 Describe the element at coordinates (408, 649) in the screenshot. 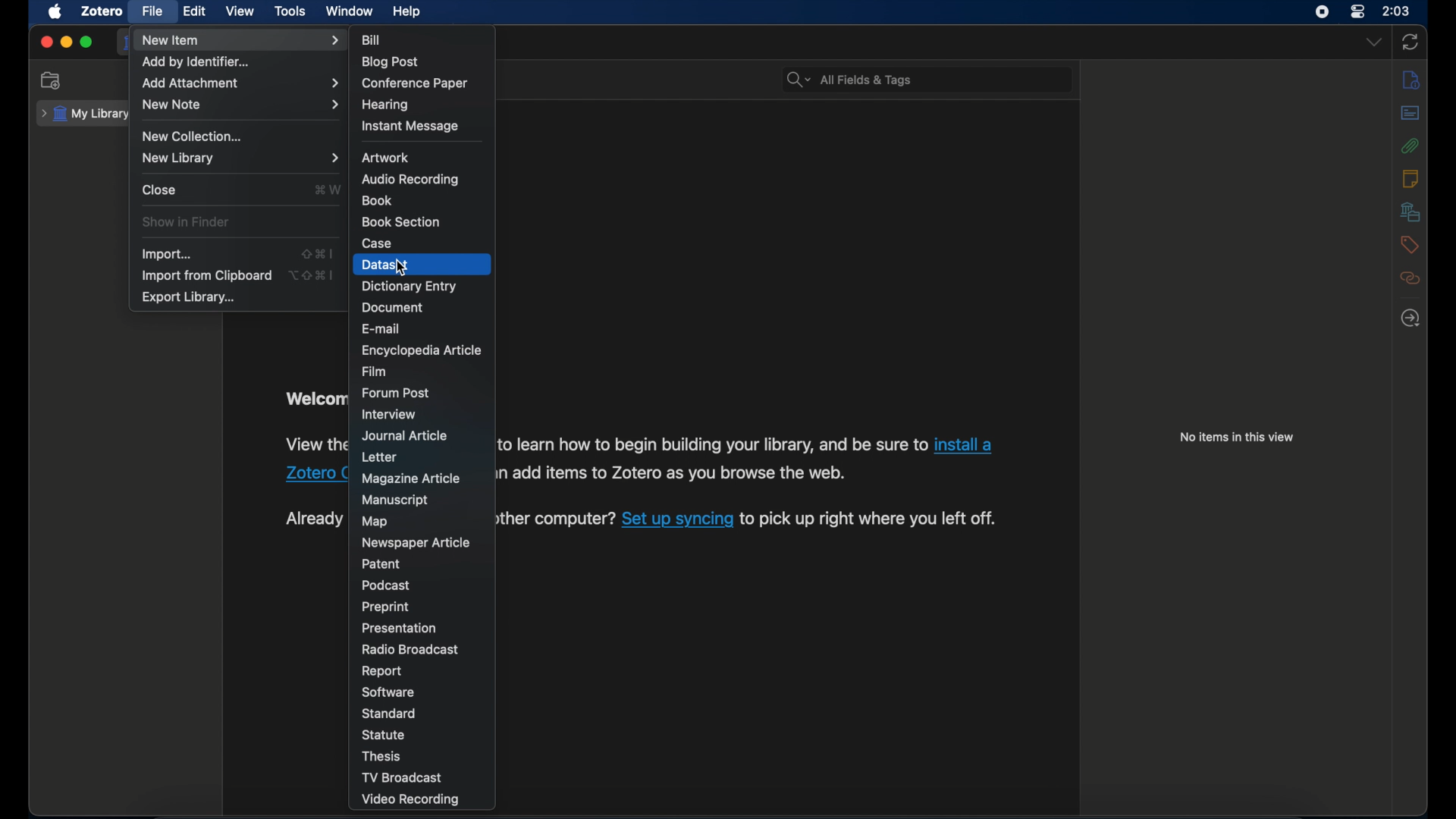

I see `radio broadcast` at that location.